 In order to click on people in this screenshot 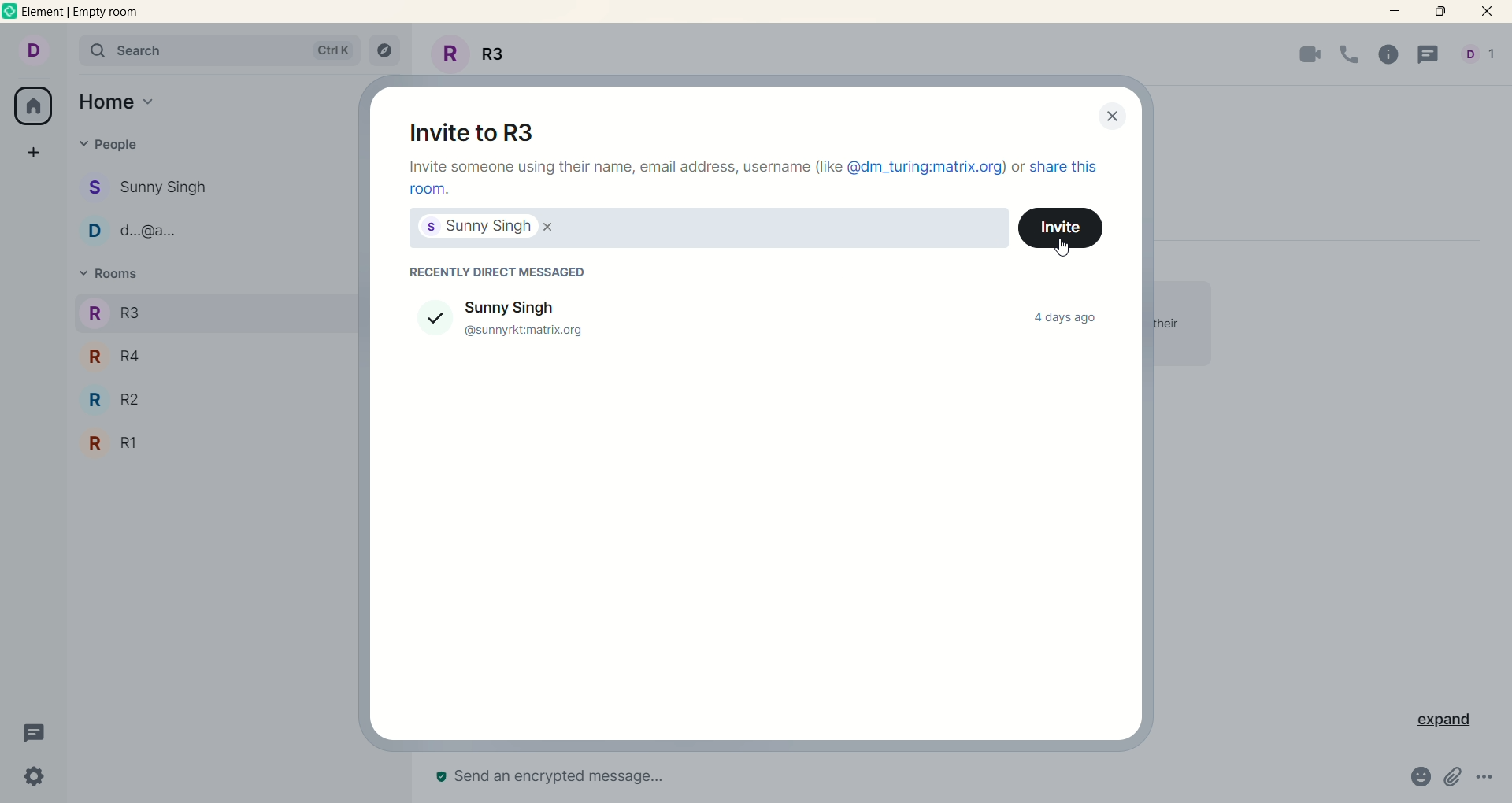, I will do `click(1478, 56)`.